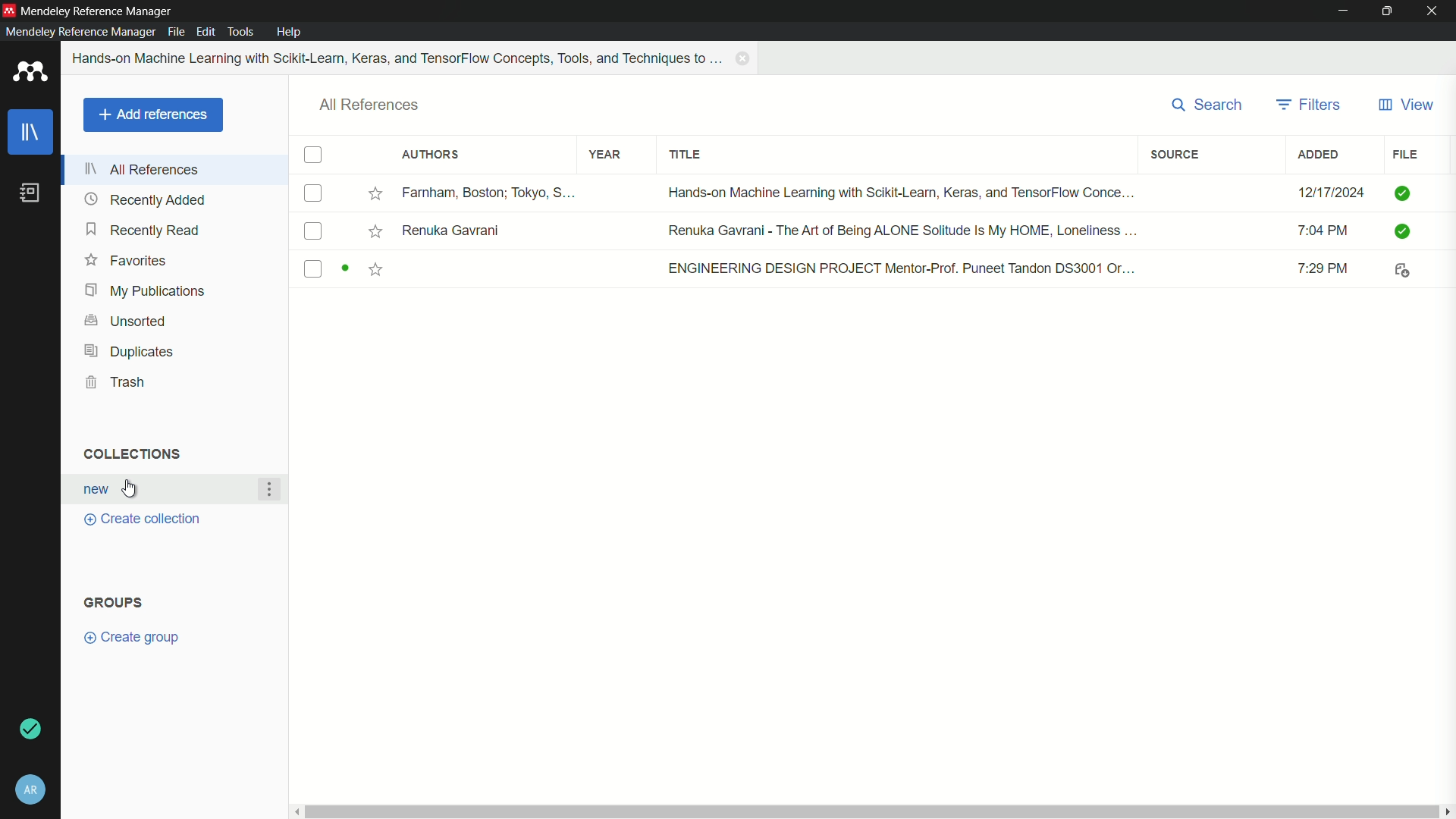  Describe the element at coordinates (1176, 154) in the screenshot. I see `source` at that location.